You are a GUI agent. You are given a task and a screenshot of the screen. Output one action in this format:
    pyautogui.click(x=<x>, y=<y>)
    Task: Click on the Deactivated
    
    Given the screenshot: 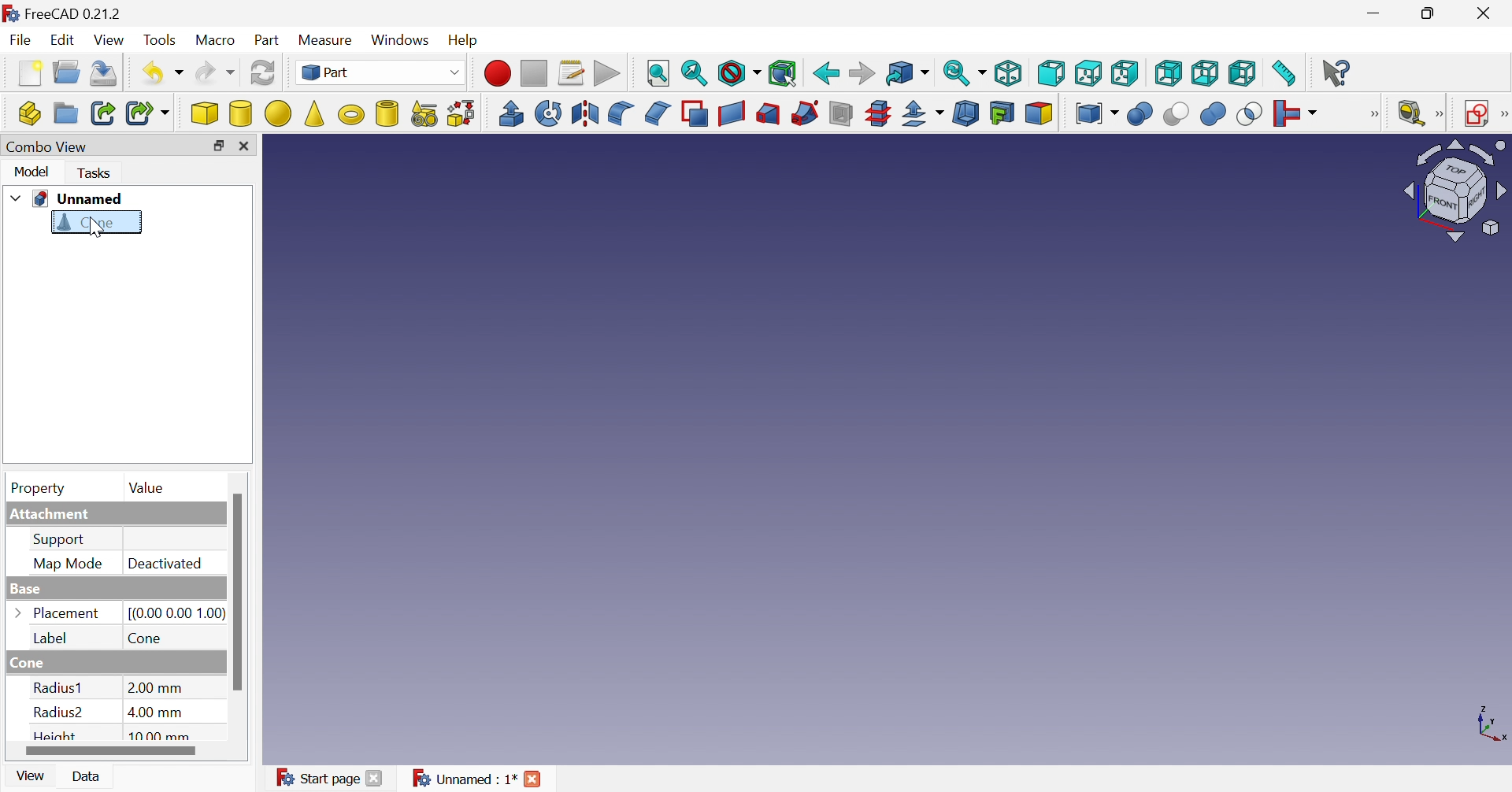 What is the action you would take?
    pyautogui.click(x=168, y=563)
    